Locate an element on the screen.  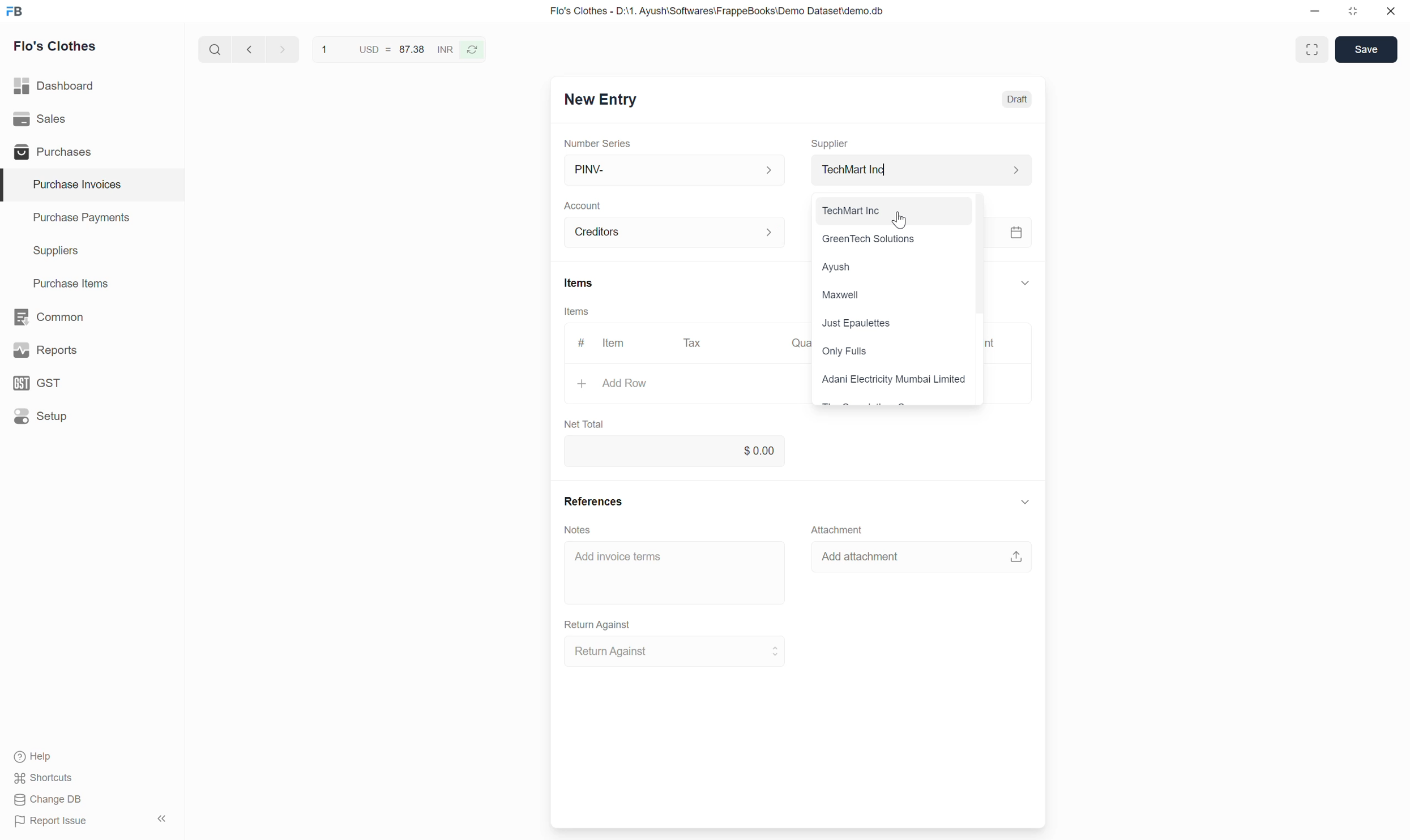
expand is located at coordinates (1023, 281).